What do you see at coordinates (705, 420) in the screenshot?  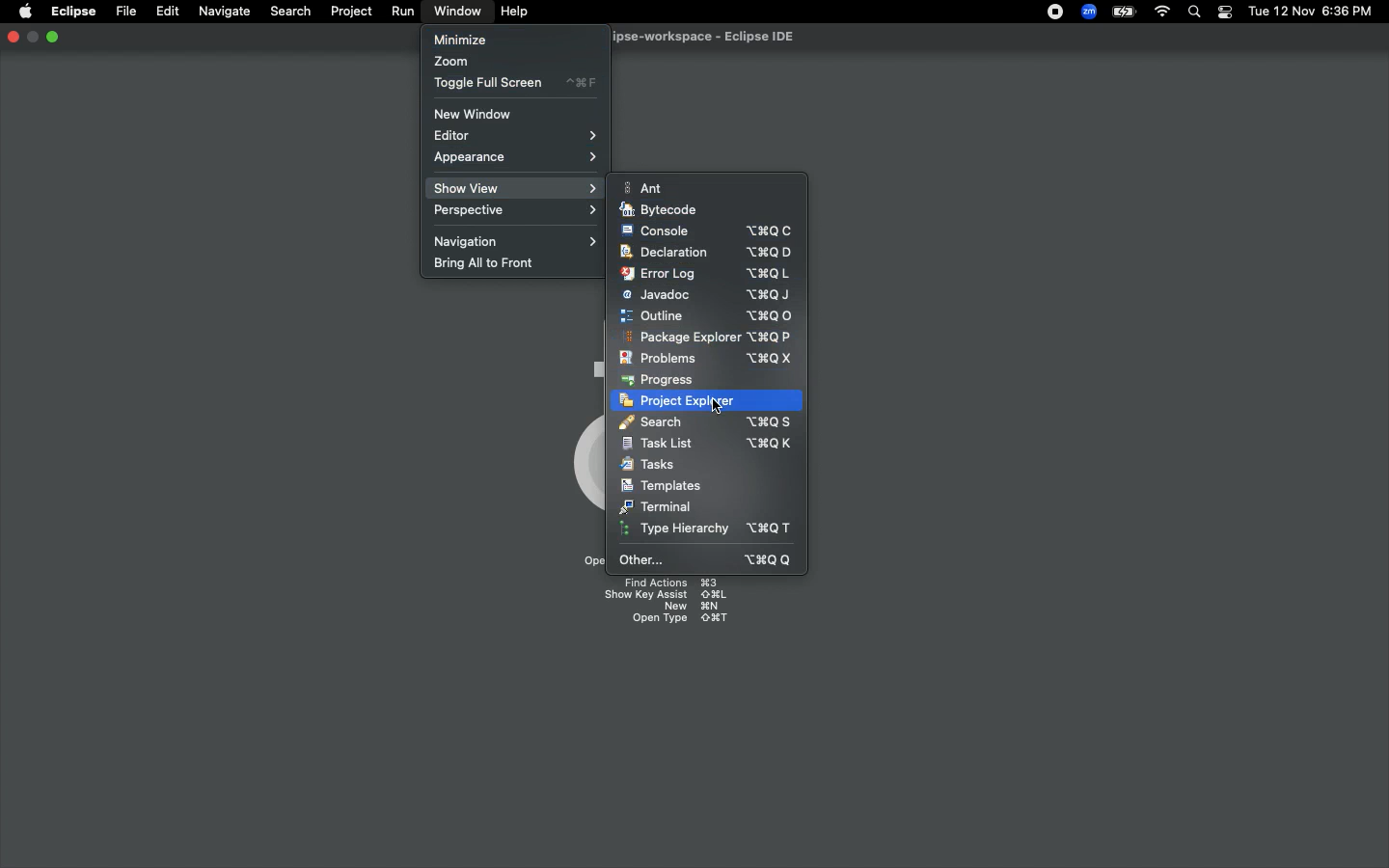 I see `Search` at bounding box center [705, 420].